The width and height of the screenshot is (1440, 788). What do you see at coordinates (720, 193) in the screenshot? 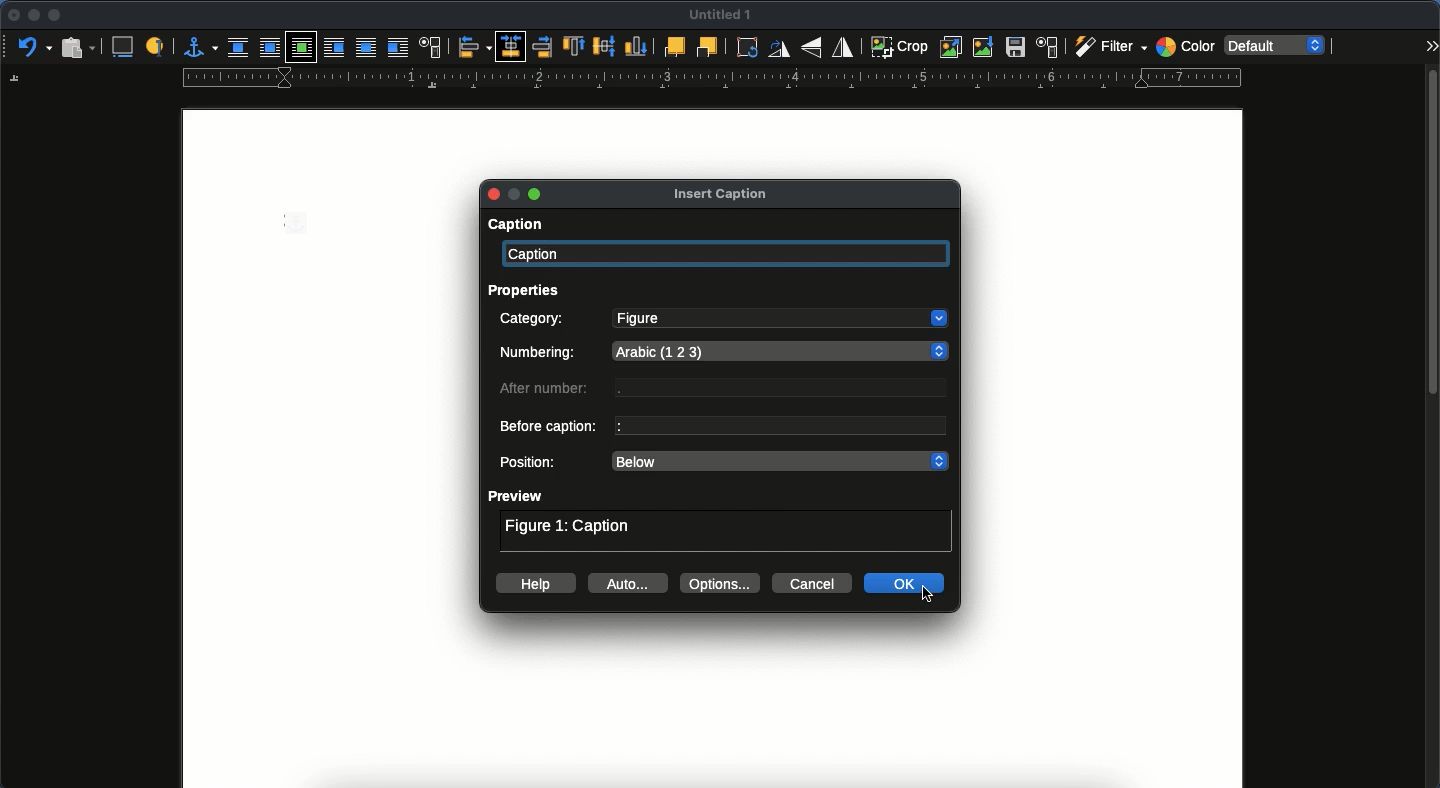
I see `insert caption` at bounding box center [720, 193].